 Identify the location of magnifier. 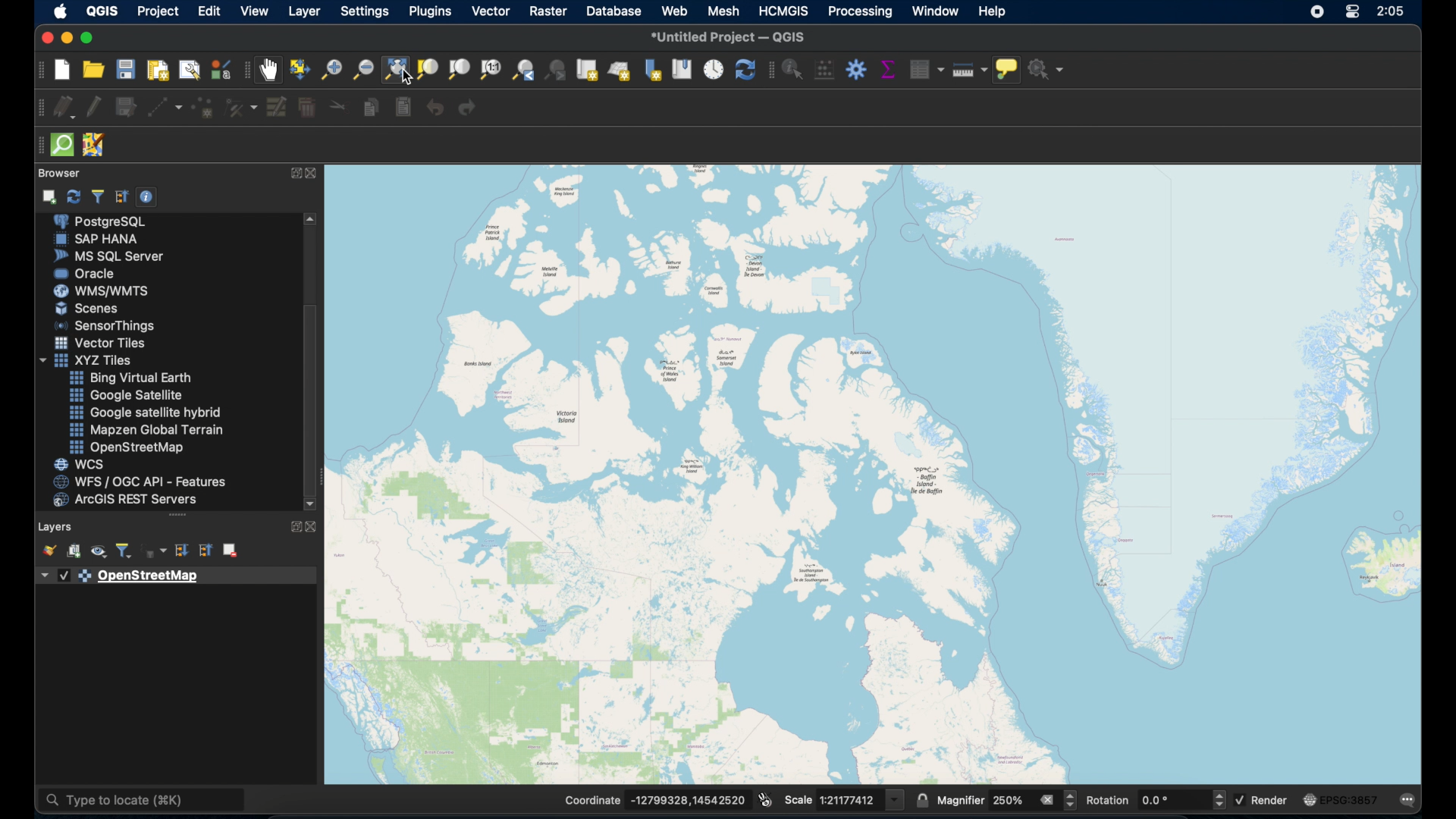
(962, 801).